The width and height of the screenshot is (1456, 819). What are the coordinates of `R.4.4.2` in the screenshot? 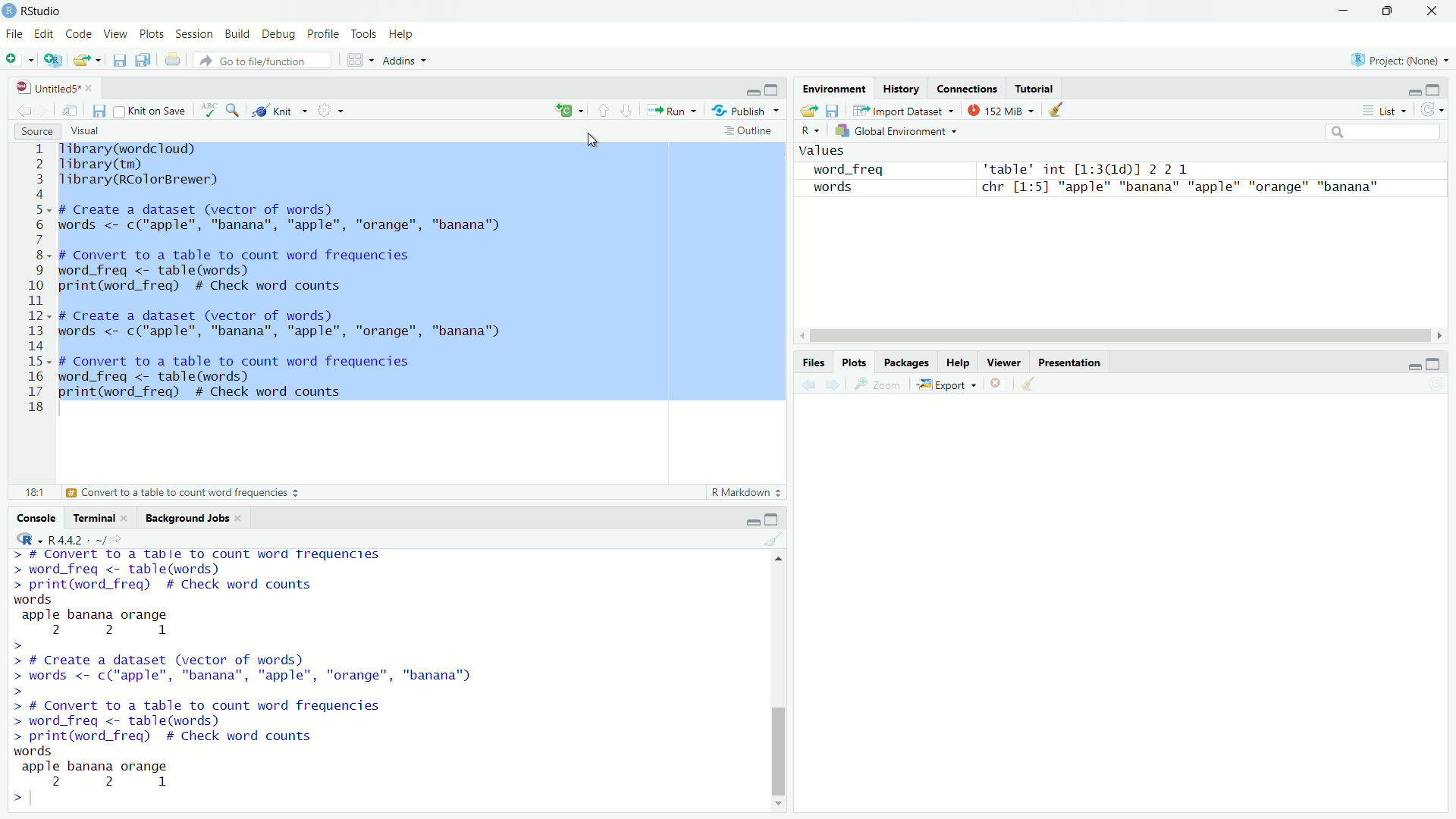 It's located at (67, 538).